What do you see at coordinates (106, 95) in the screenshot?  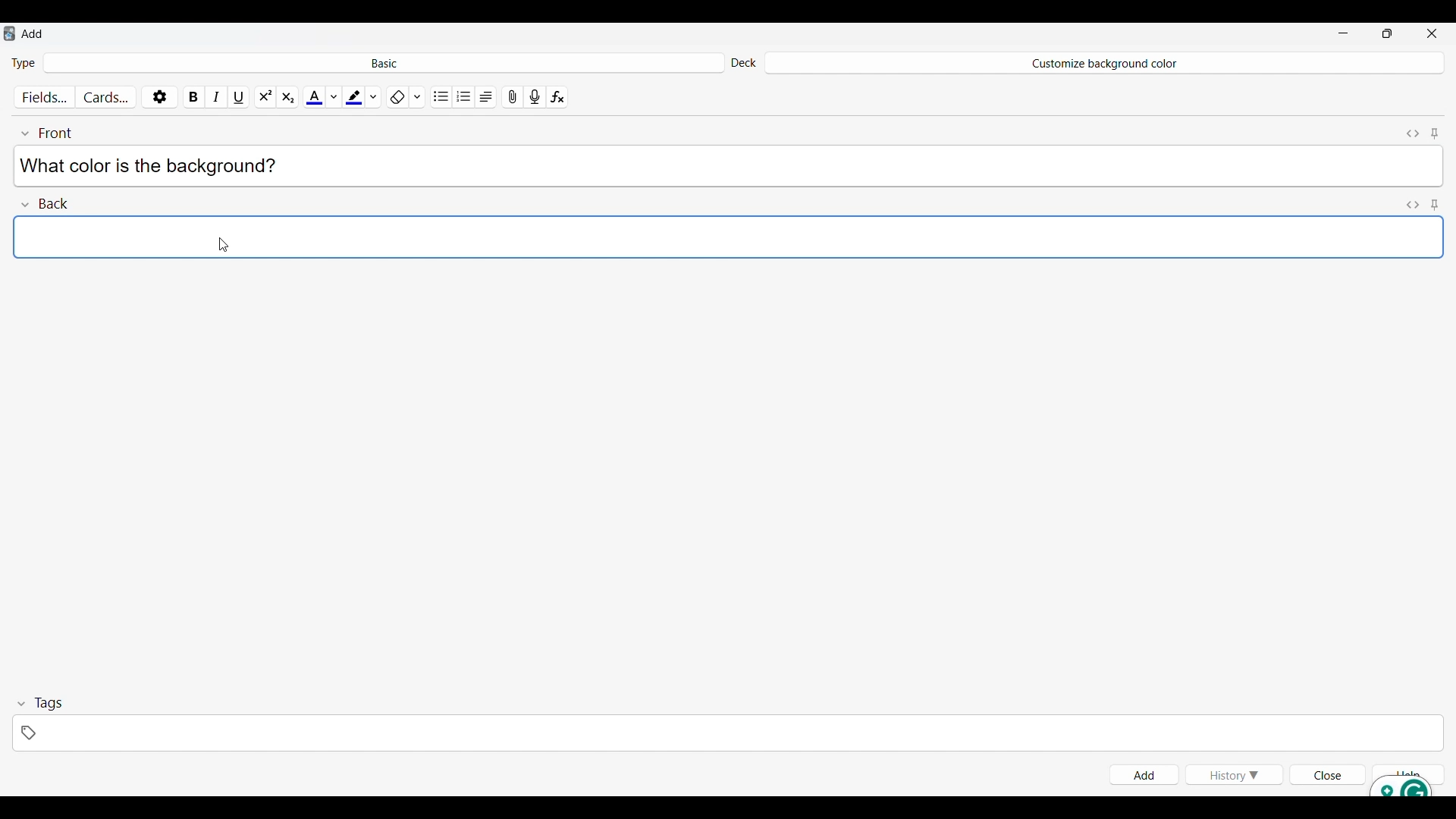 I see `Customize cards` at bounding box center [106, 95].